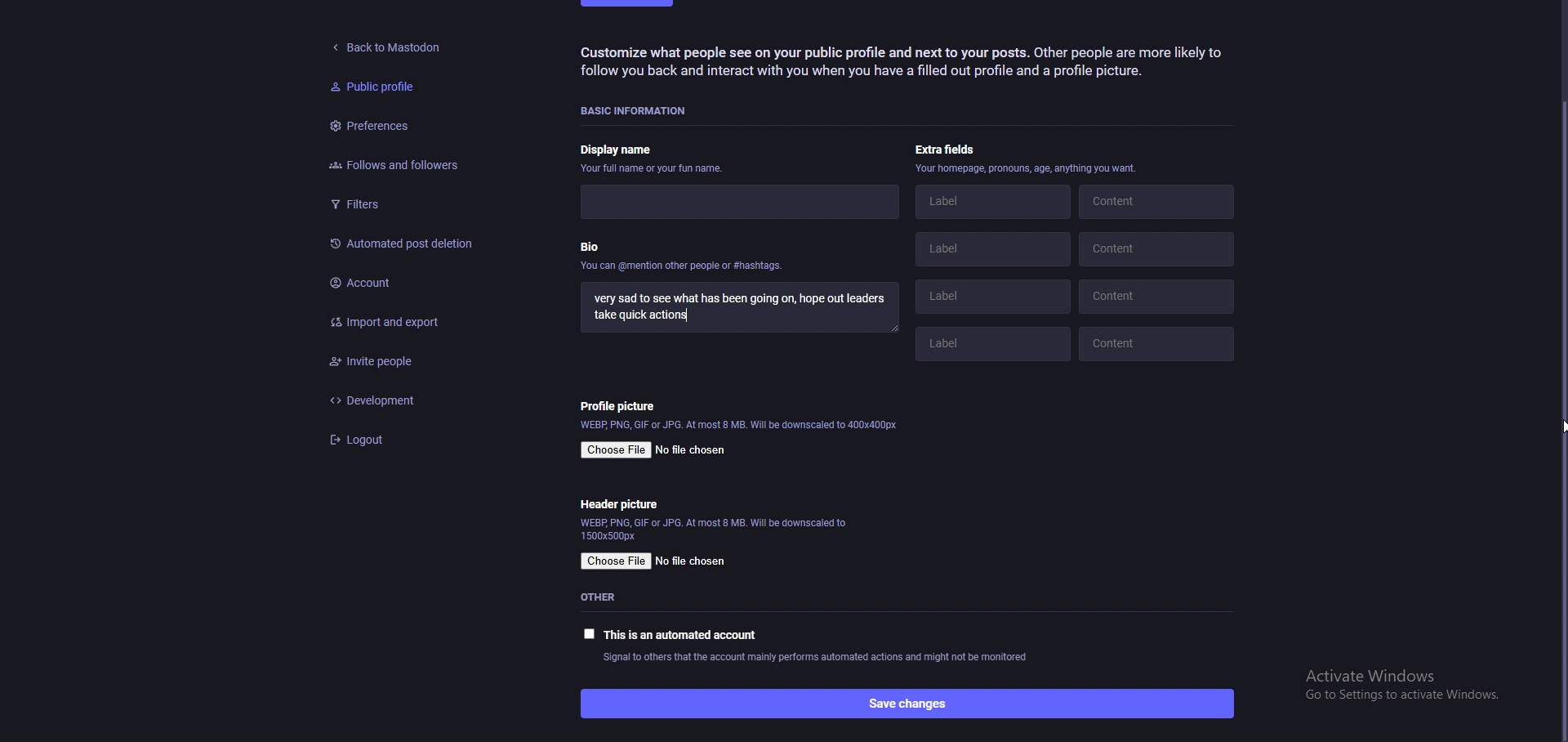 Image resolution: width=1568 pixels, height=742 pixels. I want to click on other, so click(608, 597).